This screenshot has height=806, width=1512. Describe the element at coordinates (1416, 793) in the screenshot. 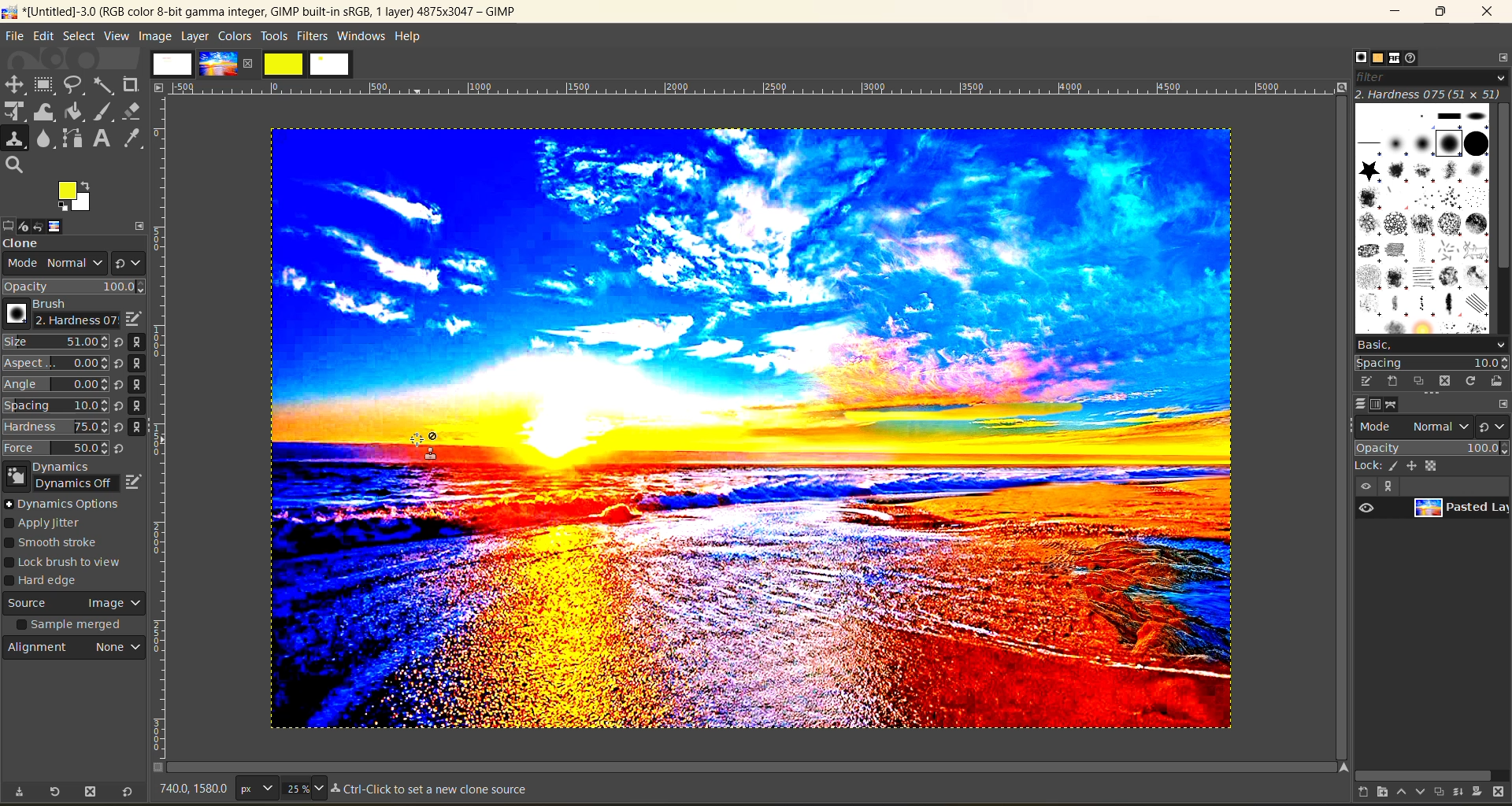

I see `lower this layer` at that location.